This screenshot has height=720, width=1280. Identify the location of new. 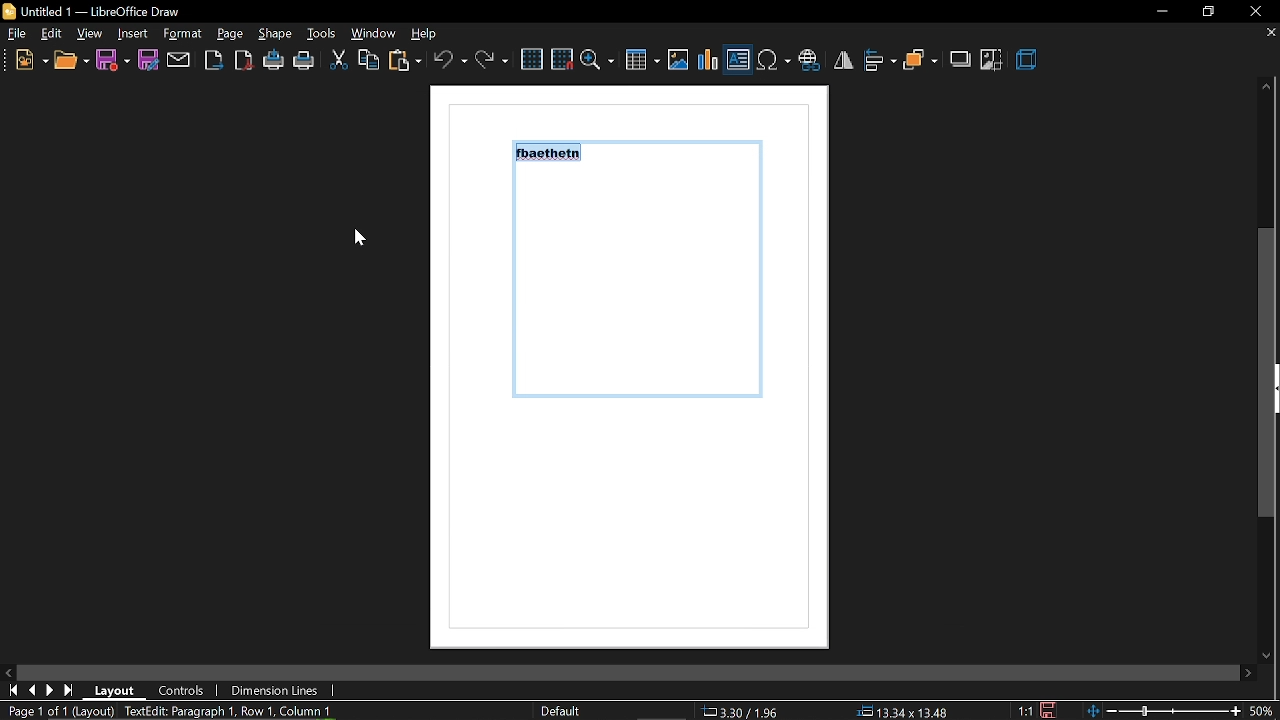
(30, 60).